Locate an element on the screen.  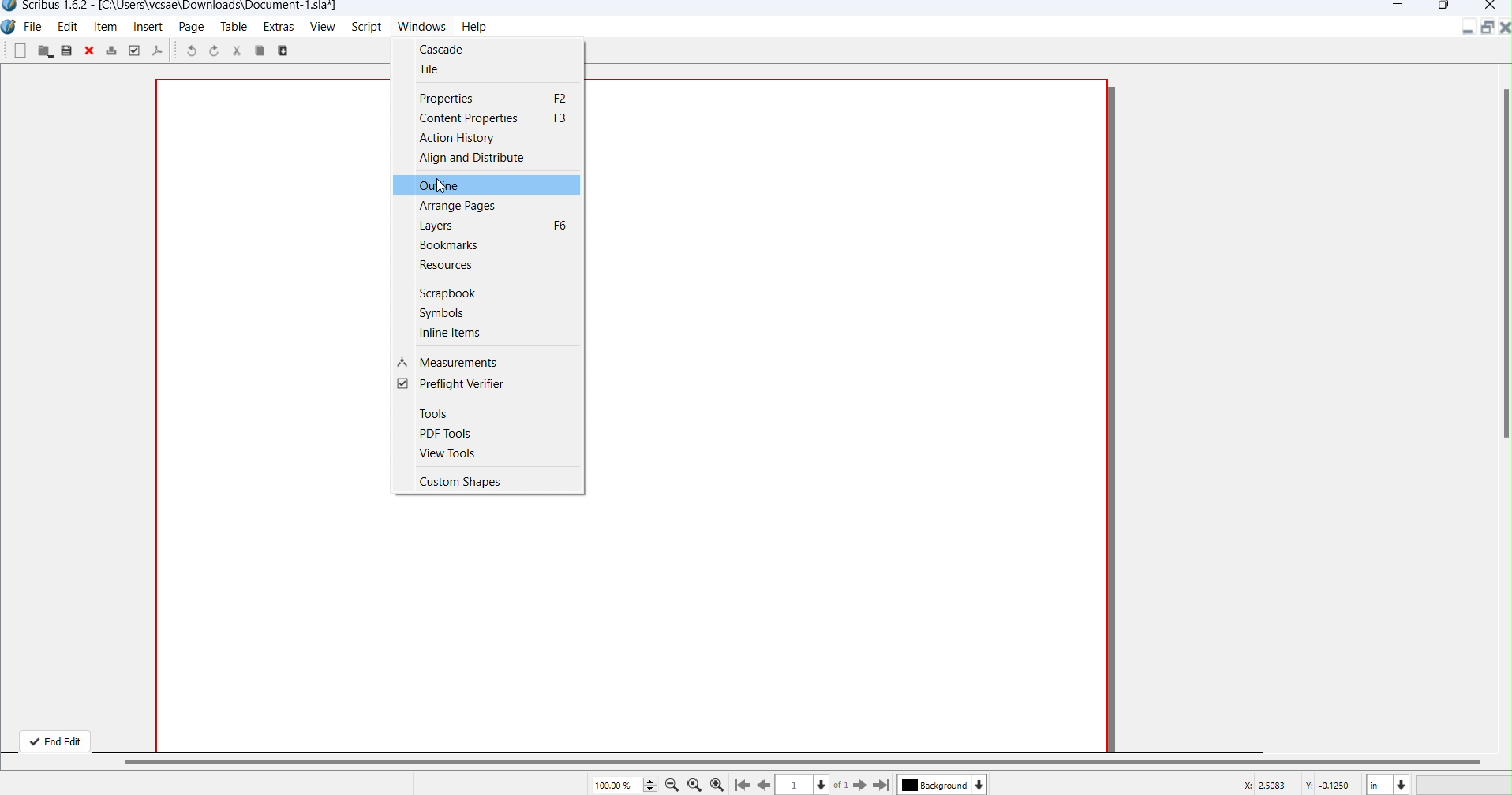
maximize is located at coordinates (1485, 28).